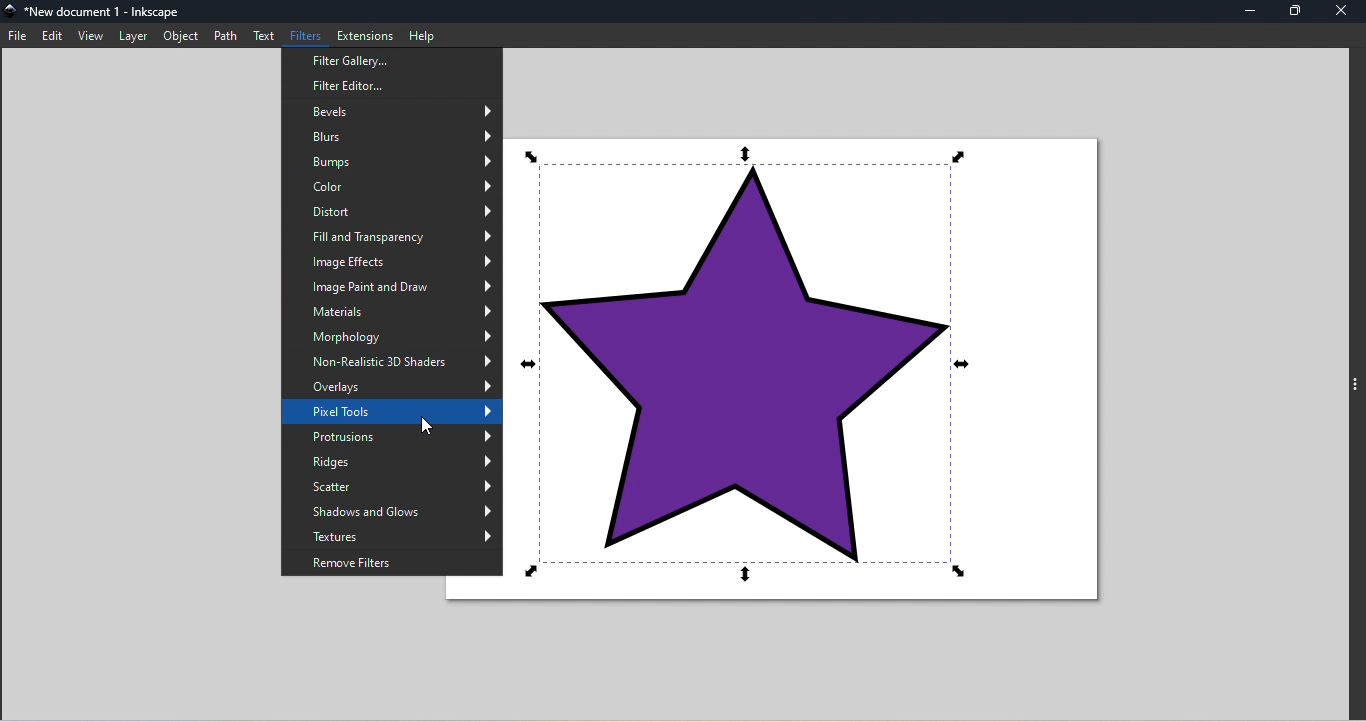 Image resolution: width=1366 pixels, height=722 pixels. What do you see at coordinates (426, 427) in the screenshot?
I see `cursor` at bounding box center [426, 427].